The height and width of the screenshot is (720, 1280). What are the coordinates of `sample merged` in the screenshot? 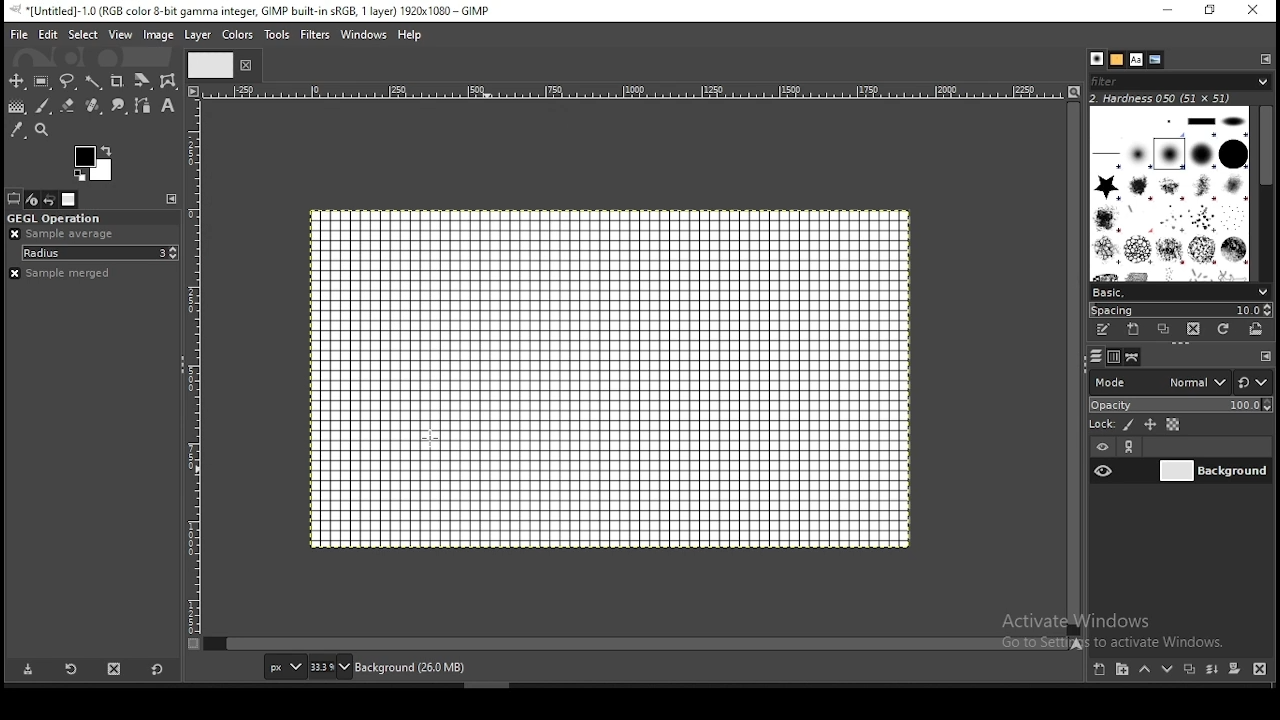 It's located at (64, 275).